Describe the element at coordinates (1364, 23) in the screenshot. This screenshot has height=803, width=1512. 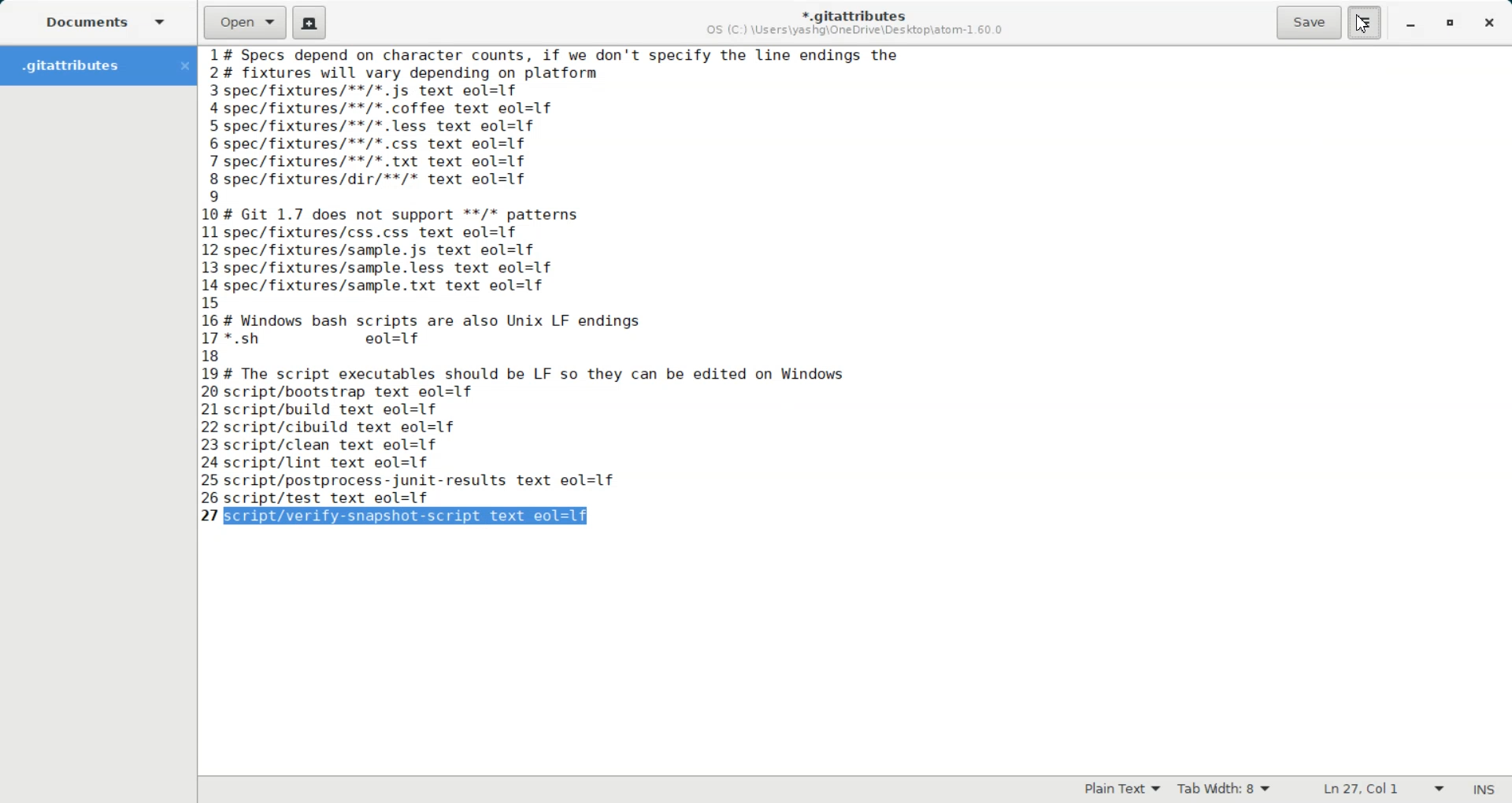
I see `Hamburger Settings` at that location.